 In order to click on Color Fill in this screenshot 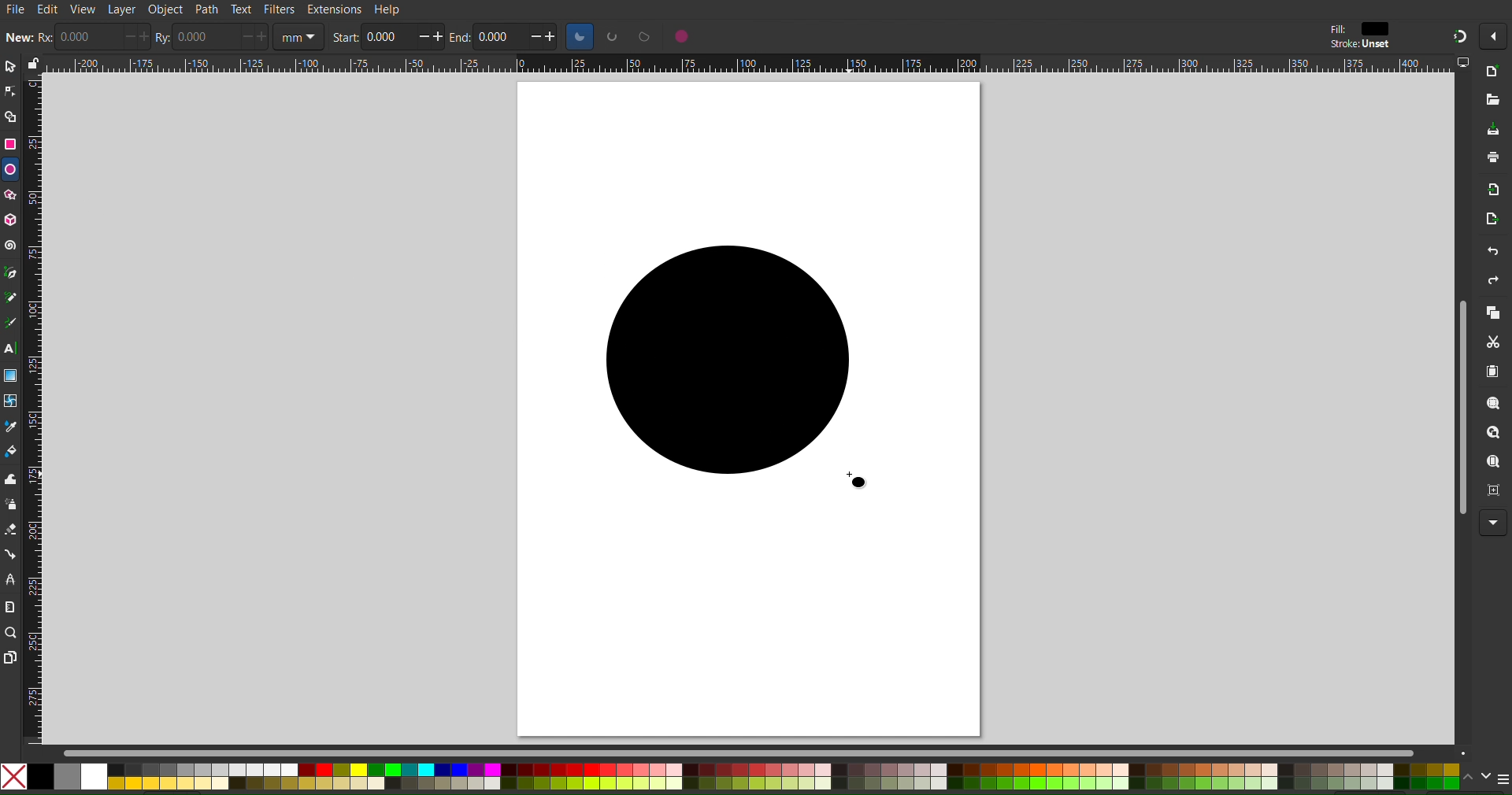, I will do `click(11, 451)`.